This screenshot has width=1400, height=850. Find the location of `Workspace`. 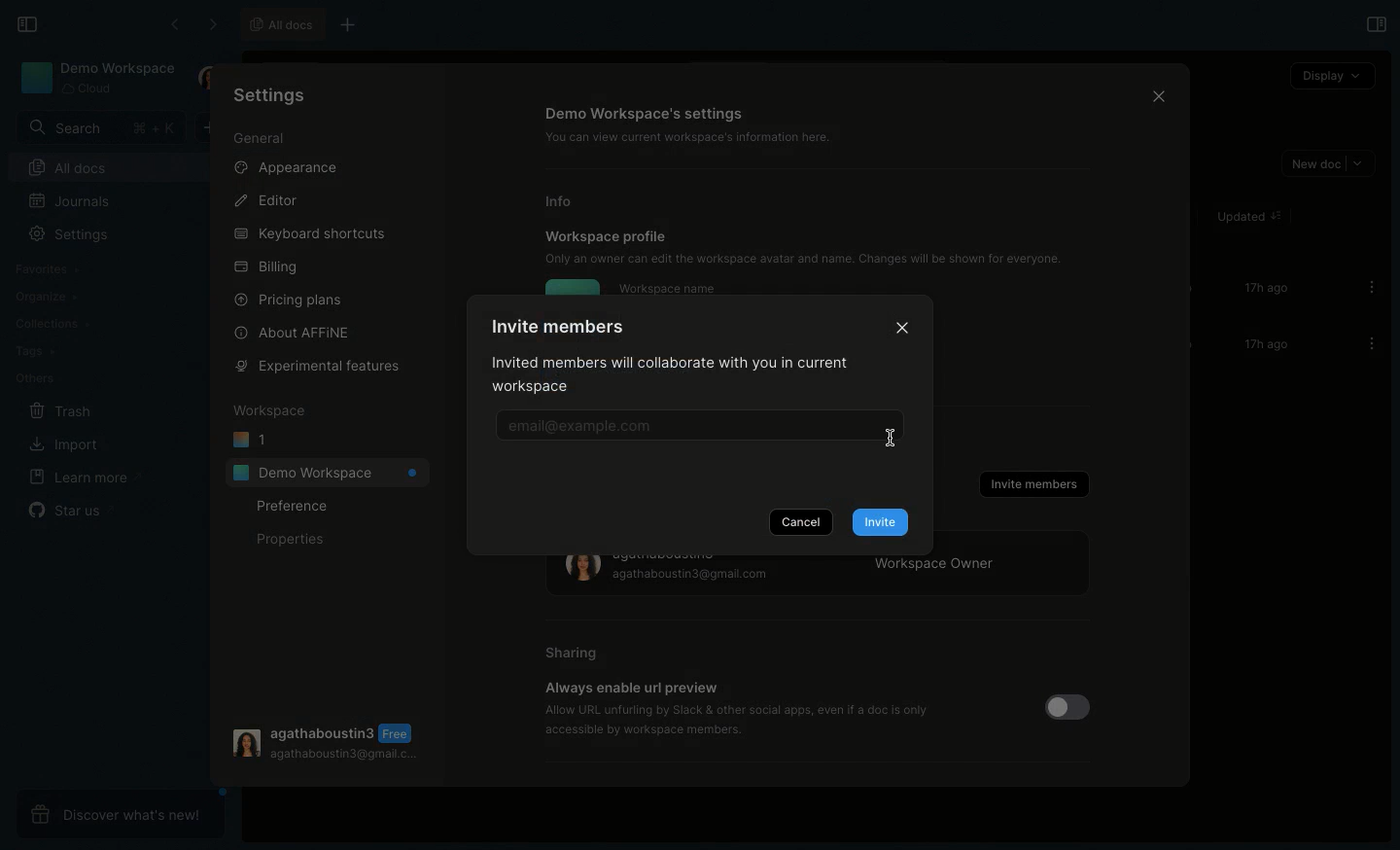

Workspace is located at coordinates (268, 411).